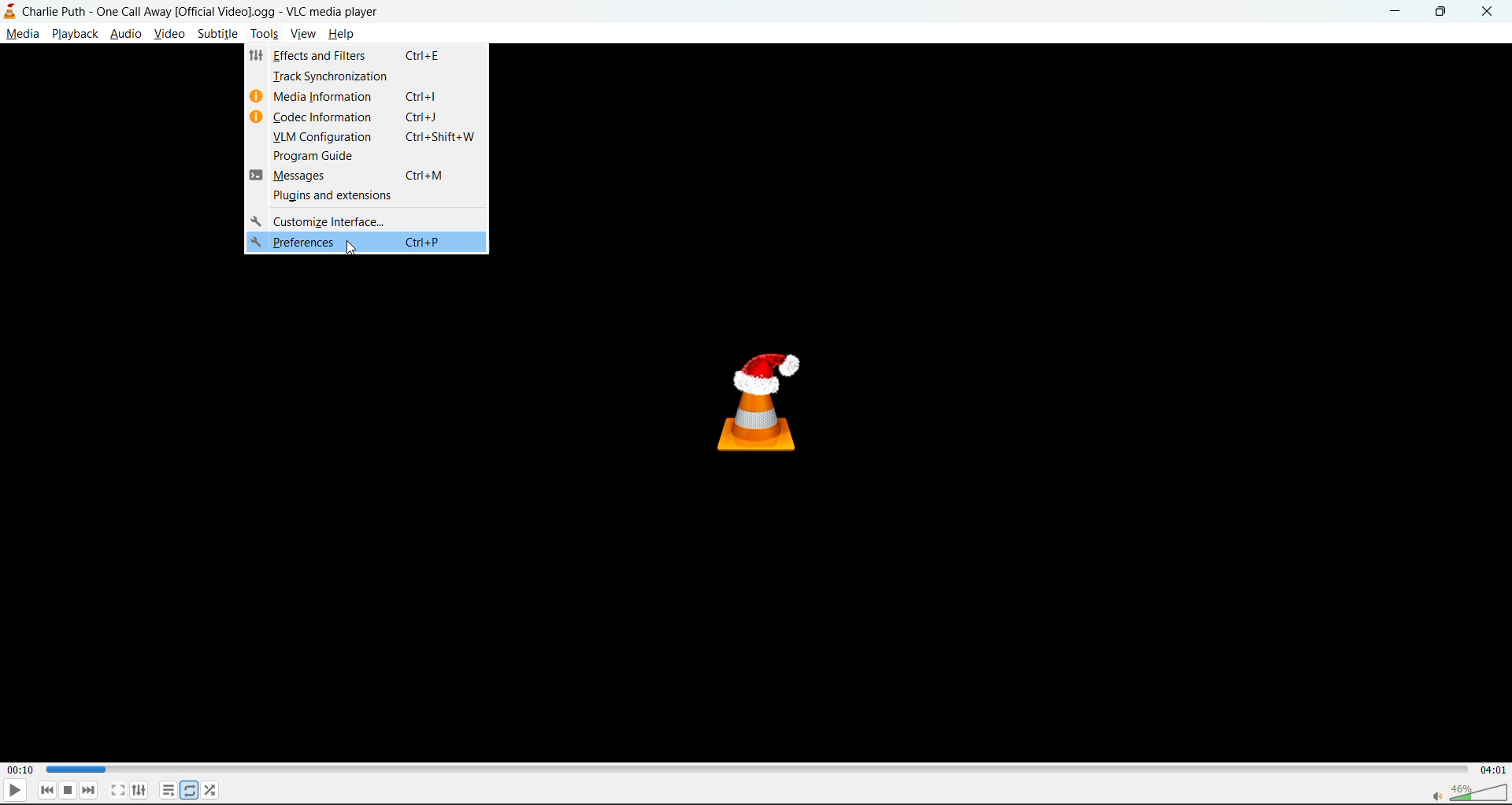  Describe the element at coordinates (20, 35) in the screenshot. I see `media` at that location.